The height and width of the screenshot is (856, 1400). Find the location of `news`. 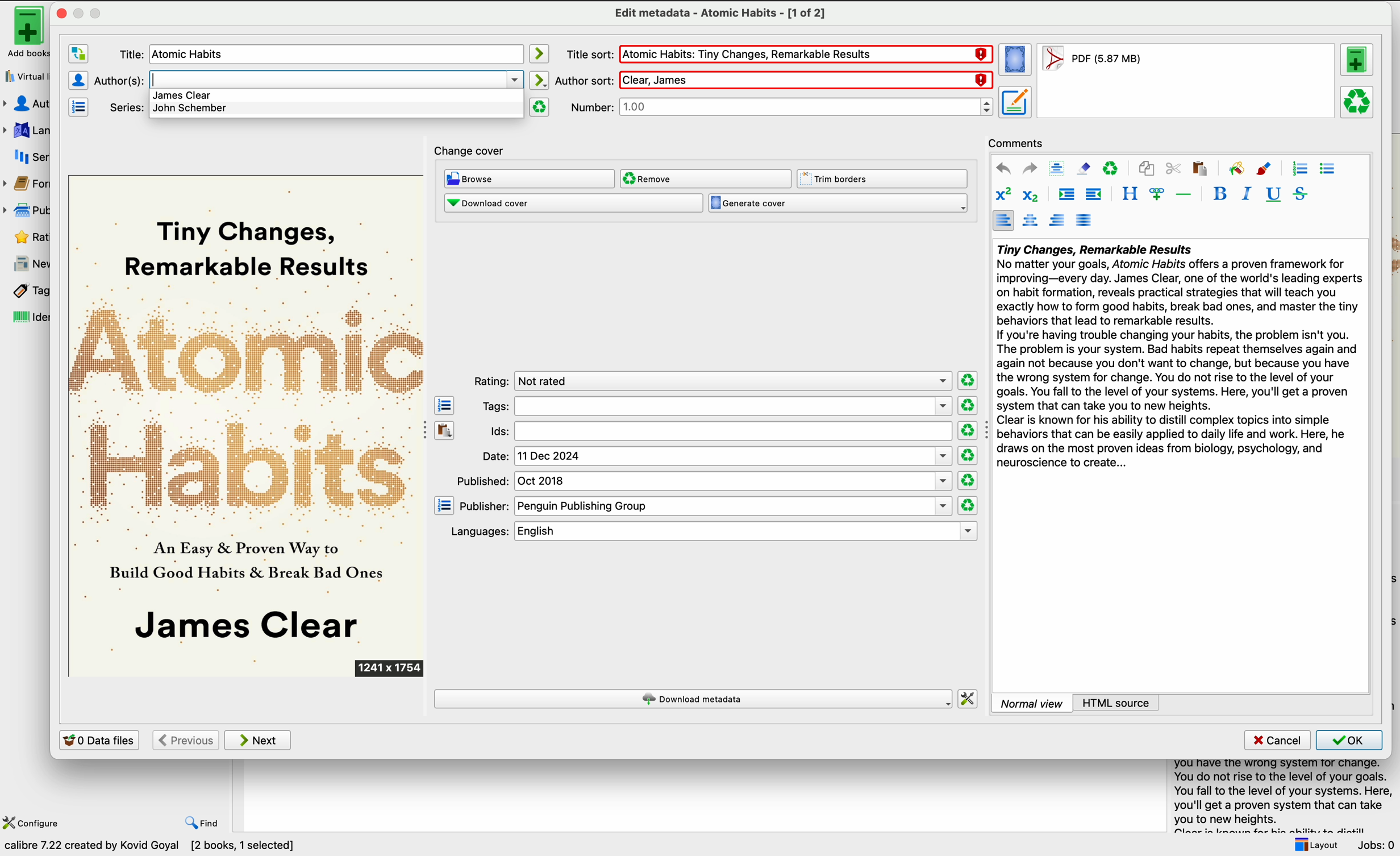

news is located at coordinates (26, 264).